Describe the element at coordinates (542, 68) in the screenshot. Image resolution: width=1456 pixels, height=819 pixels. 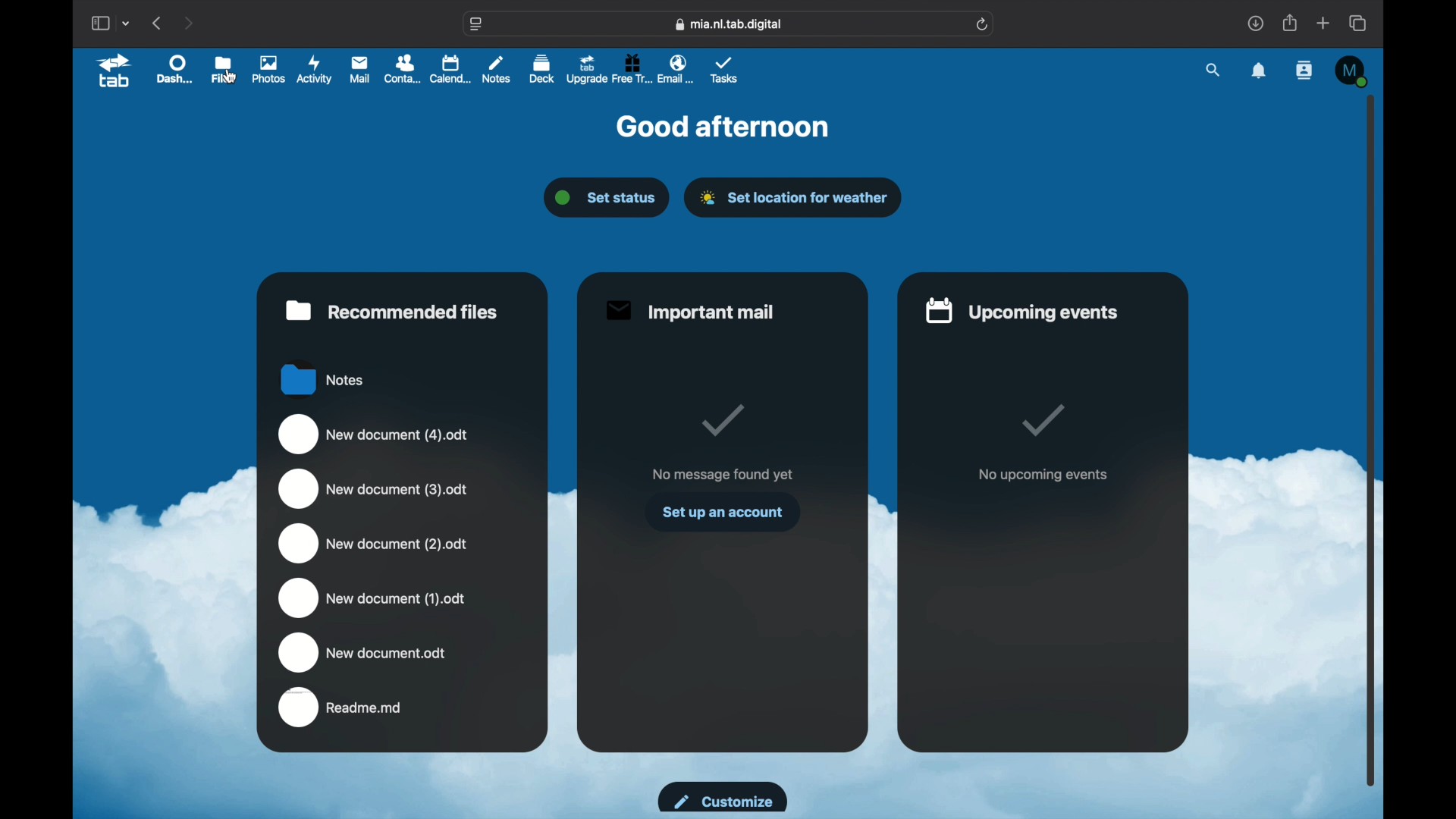
I see `deck` at that location.